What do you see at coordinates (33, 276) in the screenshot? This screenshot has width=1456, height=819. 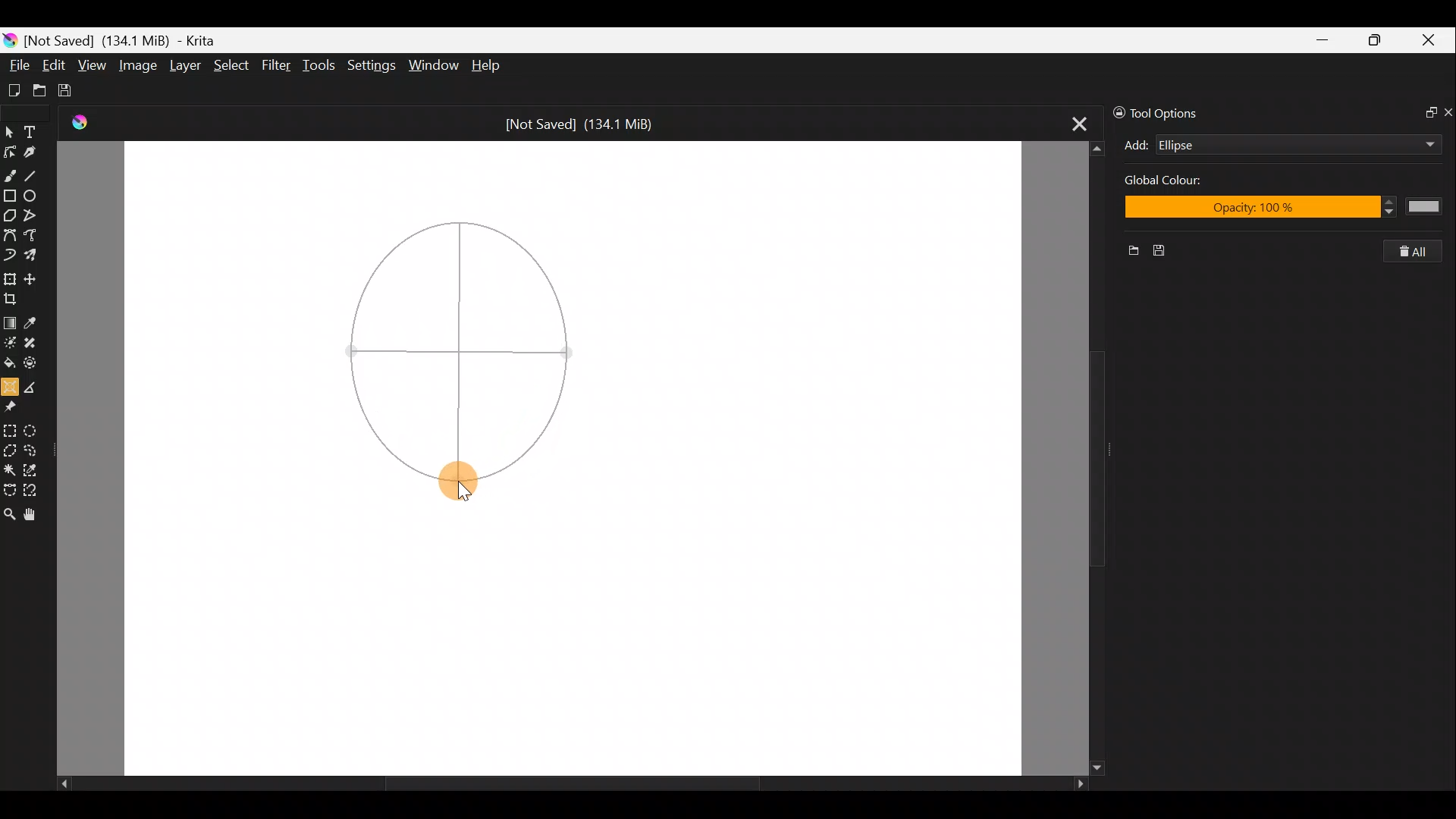 I see `Move a layer` at bounding box center [33, 276].